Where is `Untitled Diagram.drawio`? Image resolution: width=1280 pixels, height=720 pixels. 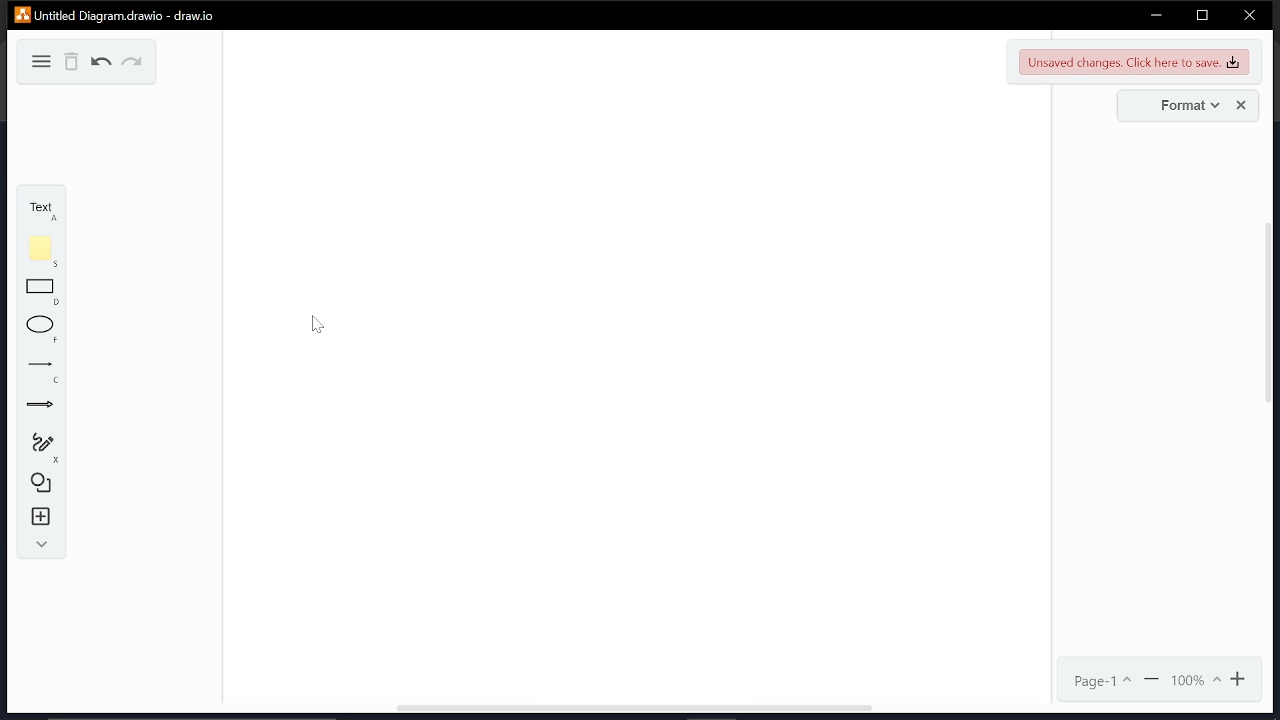
Untitled Diagram.drawio is located at coordinates (116, 14).